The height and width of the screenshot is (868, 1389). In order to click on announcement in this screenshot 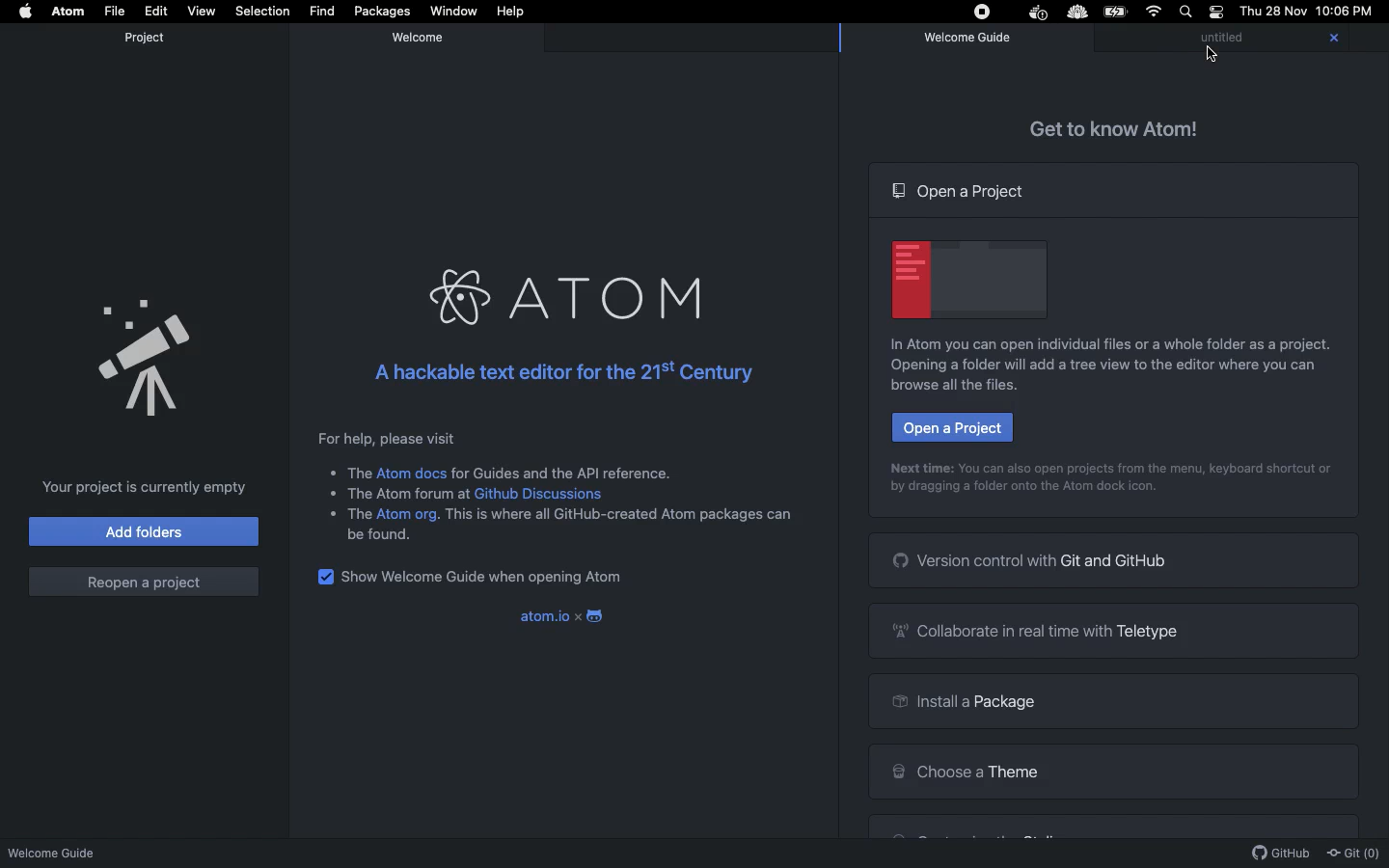, I will do `click(147, 352)`.